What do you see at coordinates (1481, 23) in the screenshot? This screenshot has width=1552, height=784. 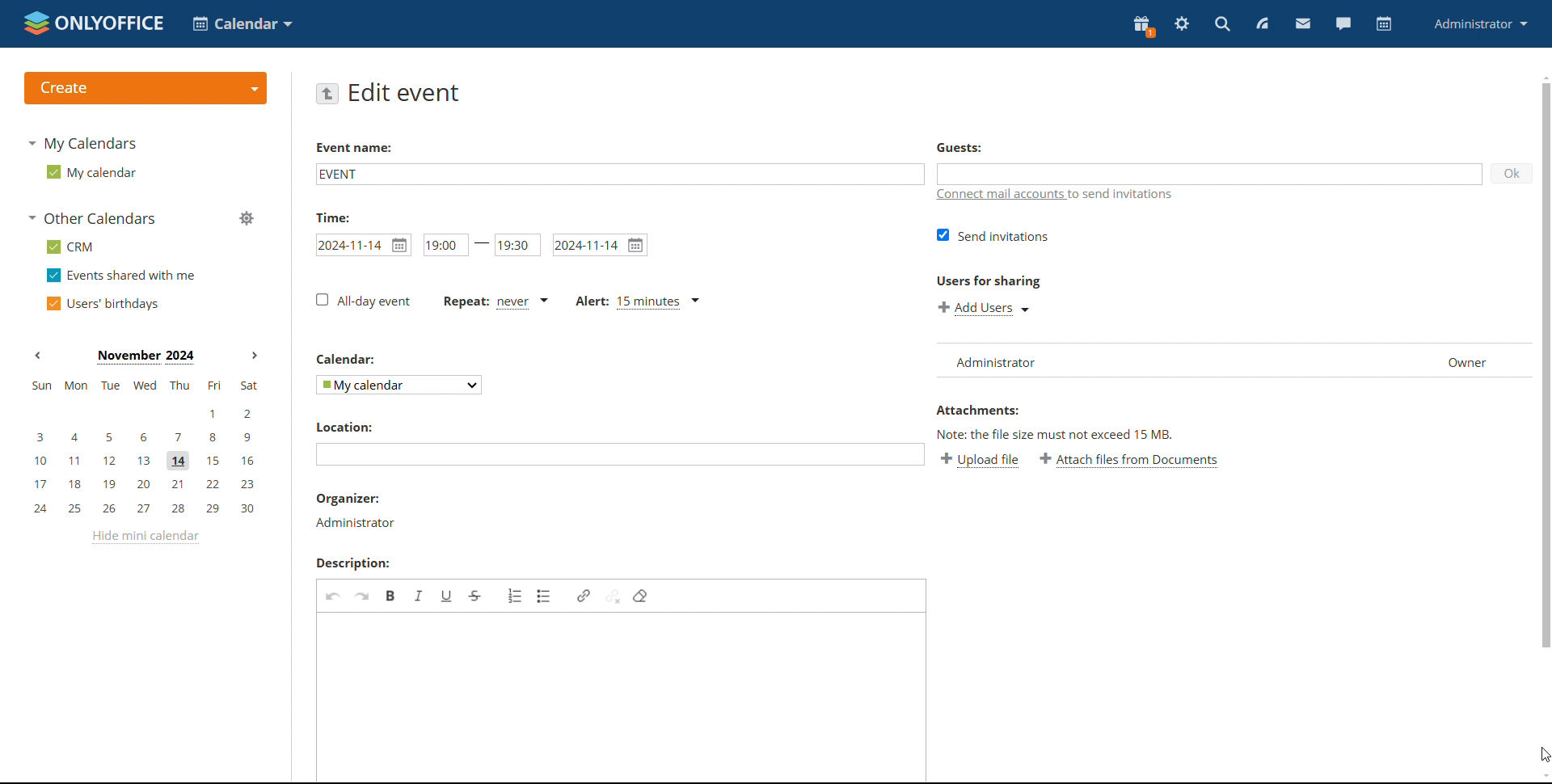 I see `profile` at bounding box center [1481, 23].